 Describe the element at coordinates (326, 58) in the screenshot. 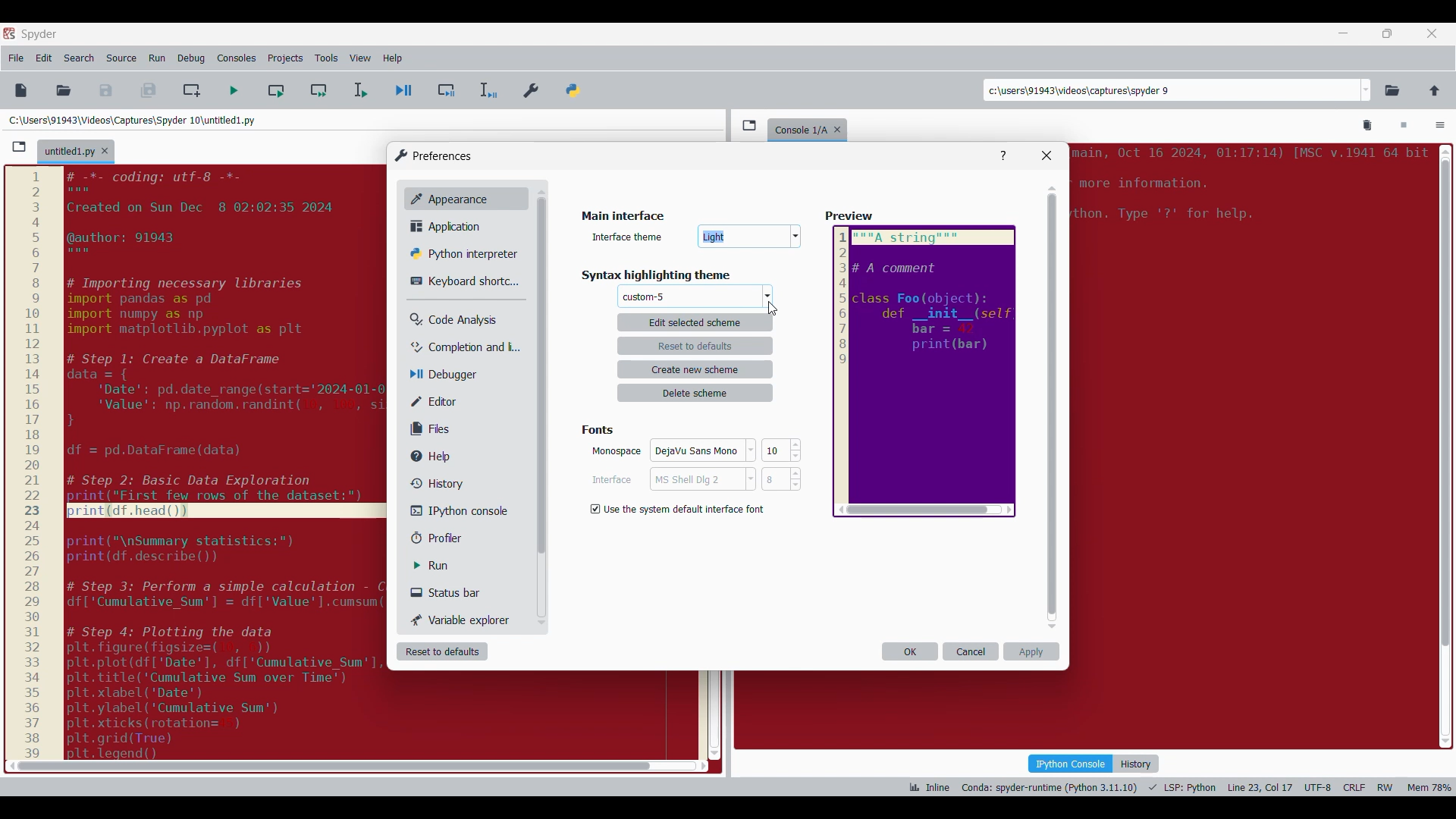

I see `Tools menu` at that location.